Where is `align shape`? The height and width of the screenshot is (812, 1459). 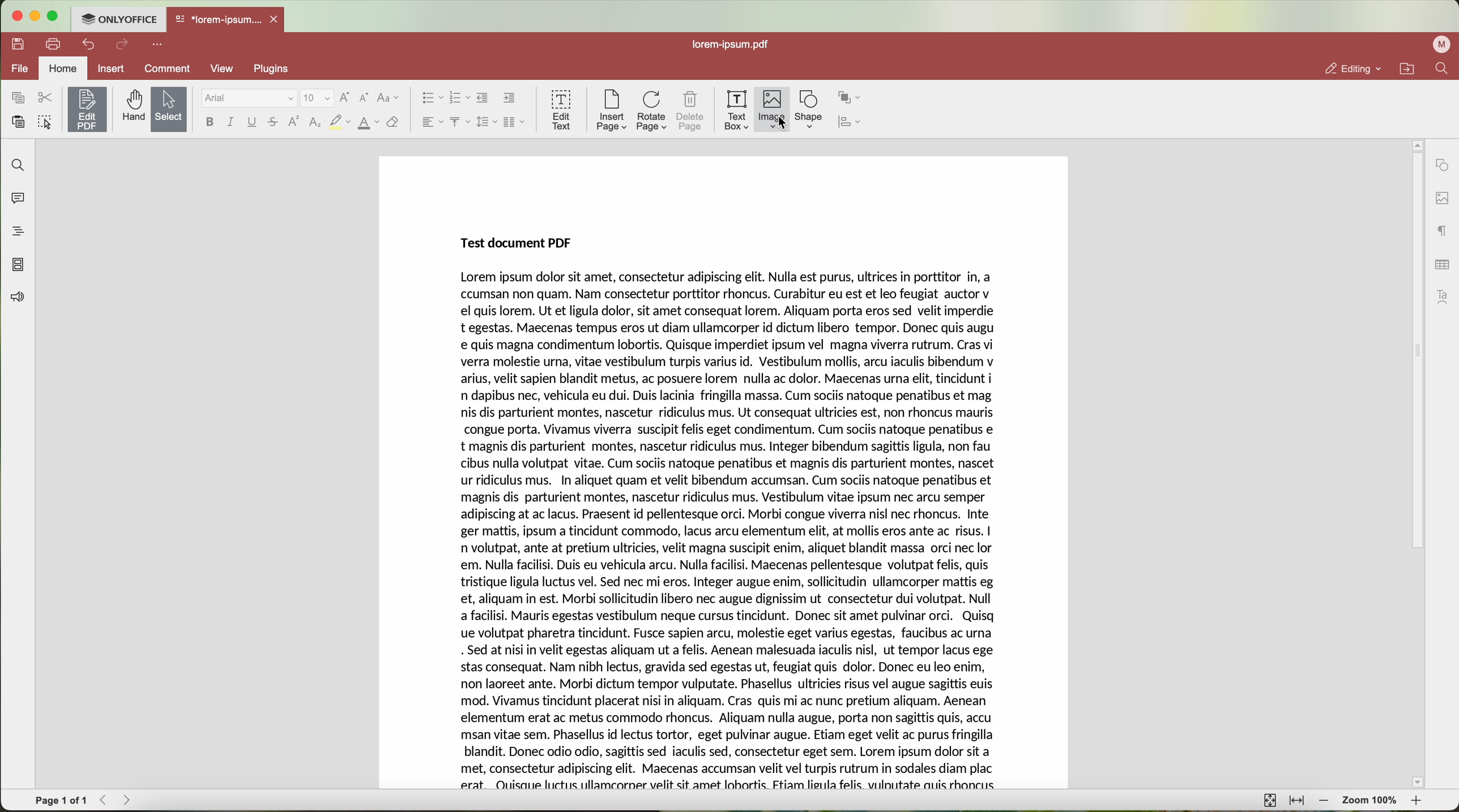 align shape is located at coordinates (852, 123).